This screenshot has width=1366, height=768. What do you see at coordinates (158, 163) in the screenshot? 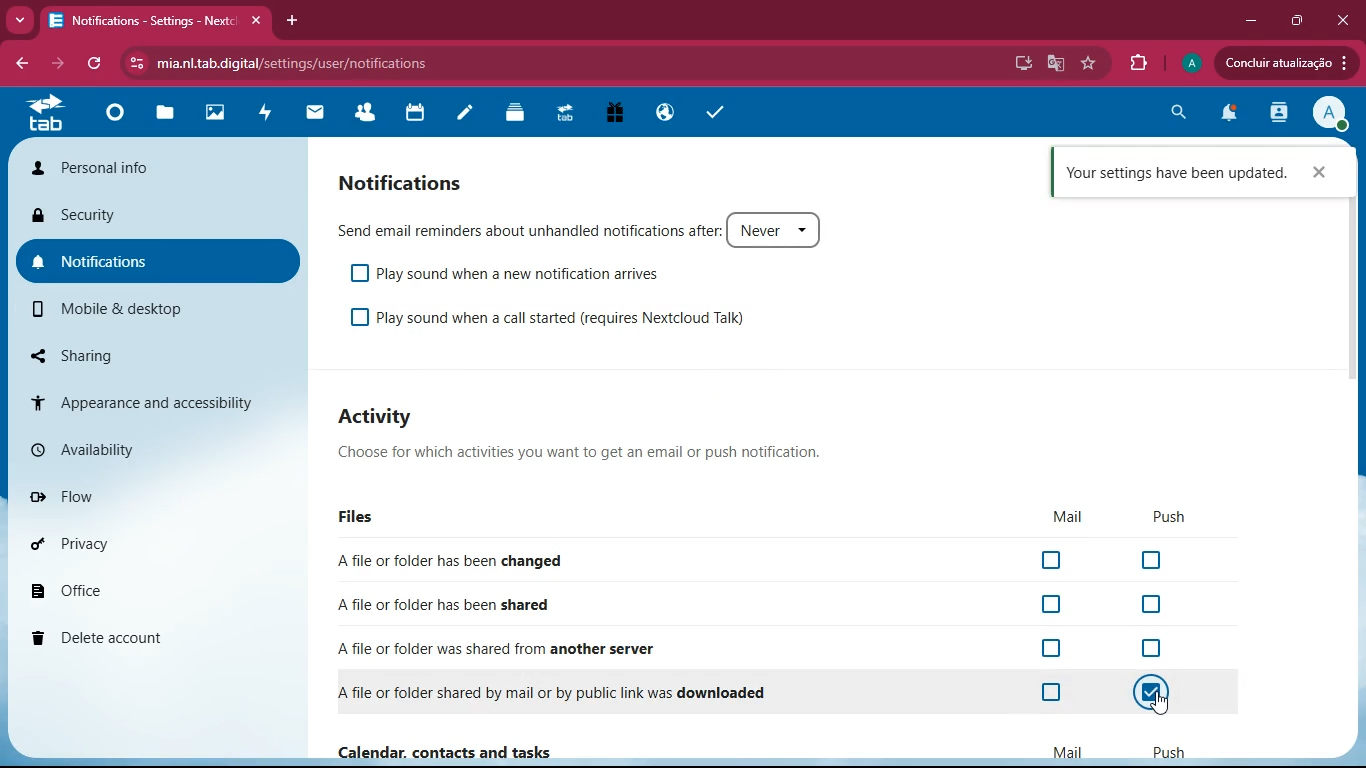
I see `personal info` at bounding box center [158, 163].